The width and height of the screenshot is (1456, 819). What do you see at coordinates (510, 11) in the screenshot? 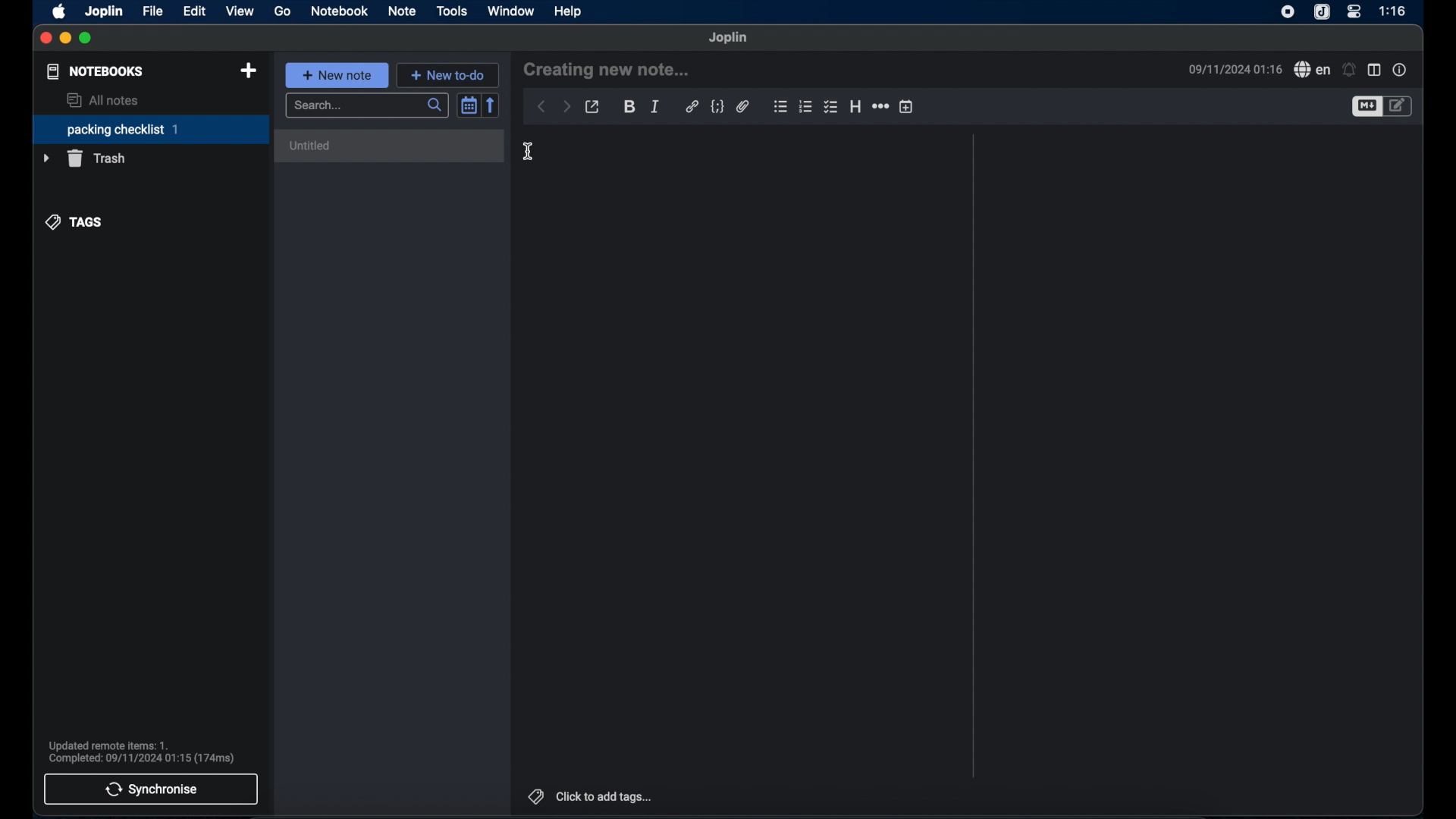
I see `window` at bounding box center [510, 11].